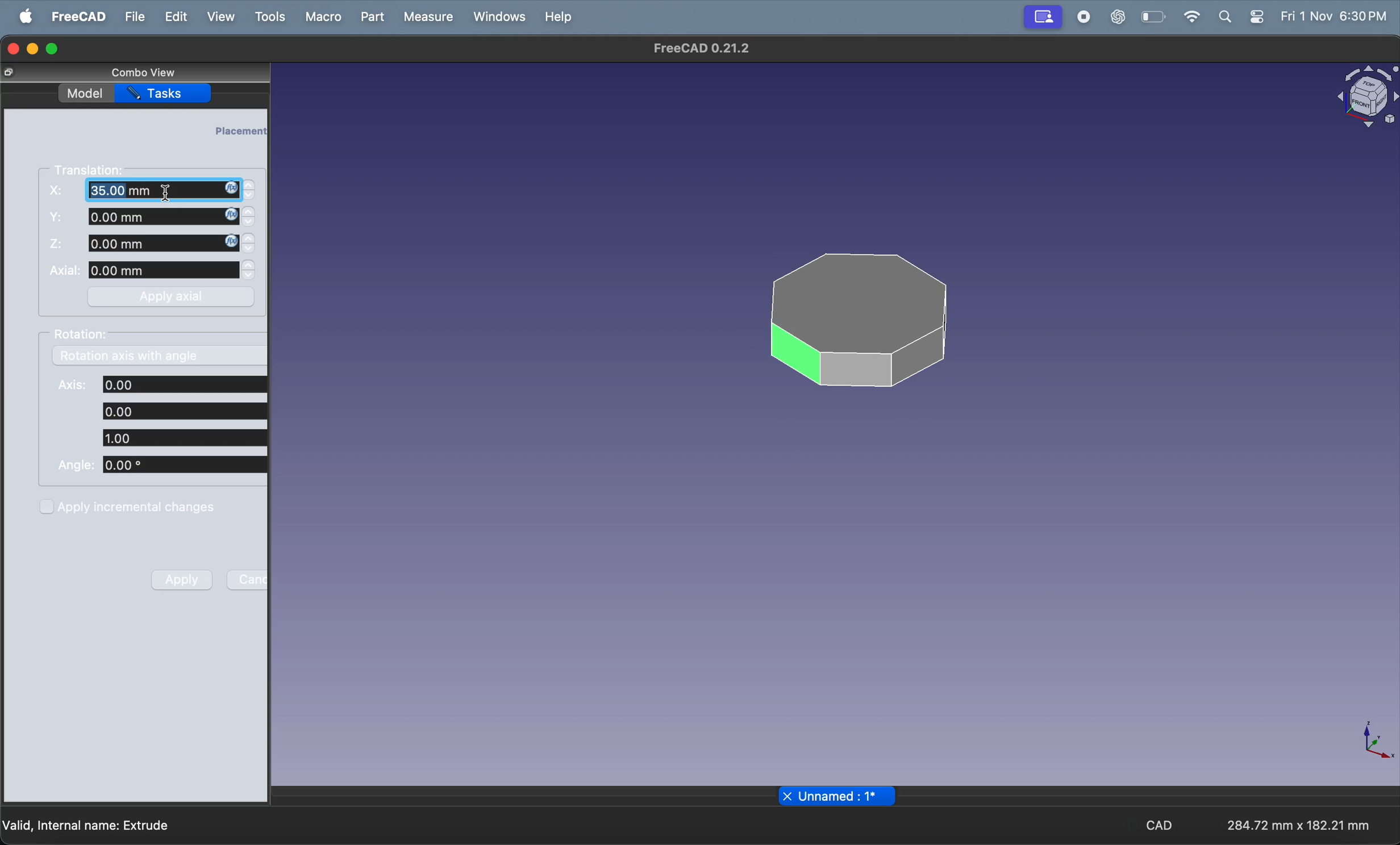 Image resolution: width=1400 pixels, height=845 pixels. What do you see at coordinates (839, 796) in the screenshot?
I see `X Unnamed : 1*` at bounding box center [839, 796].